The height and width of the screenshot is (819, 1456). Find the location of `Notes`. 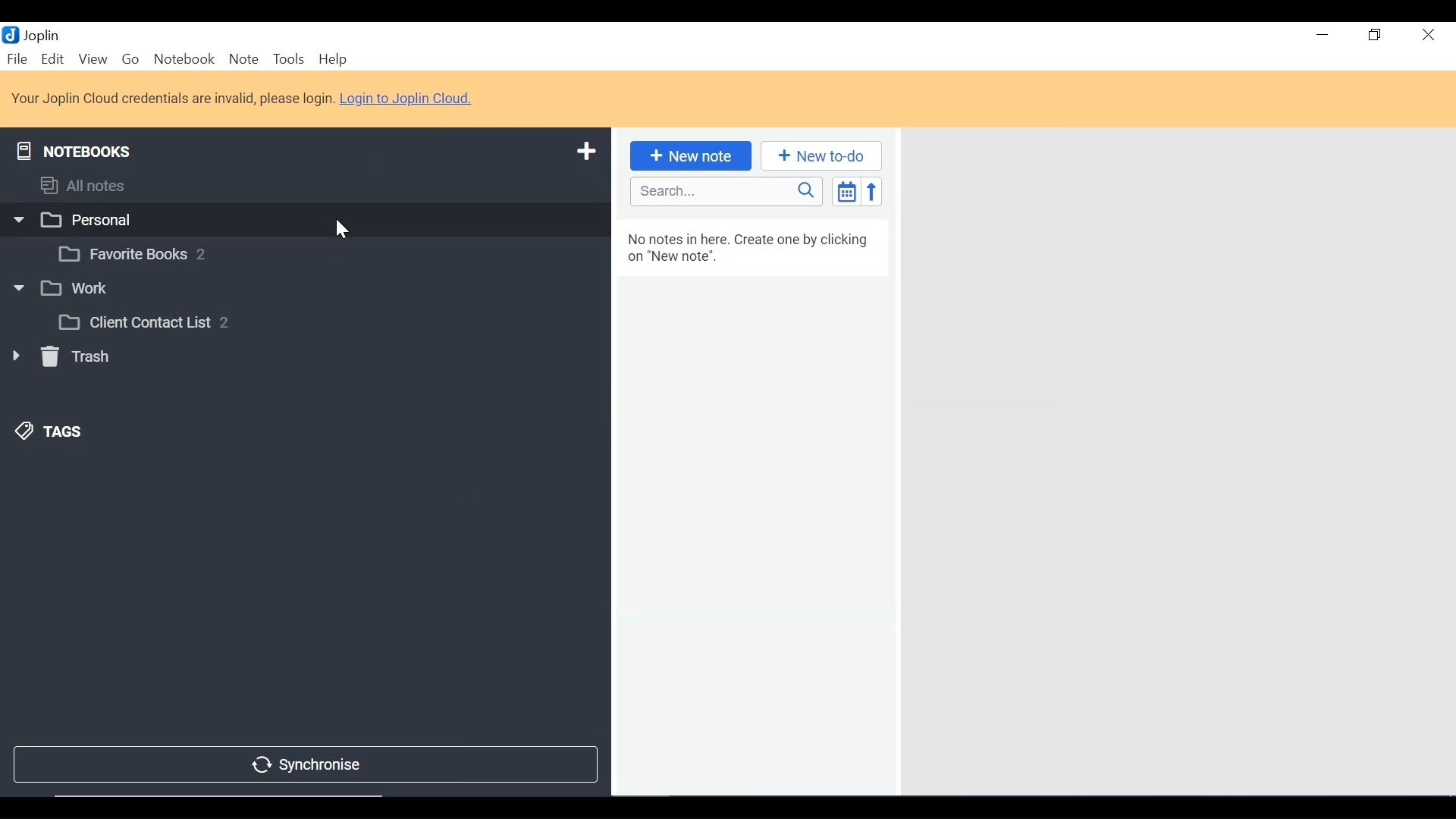

Notes is located at coordinates (752, 506).